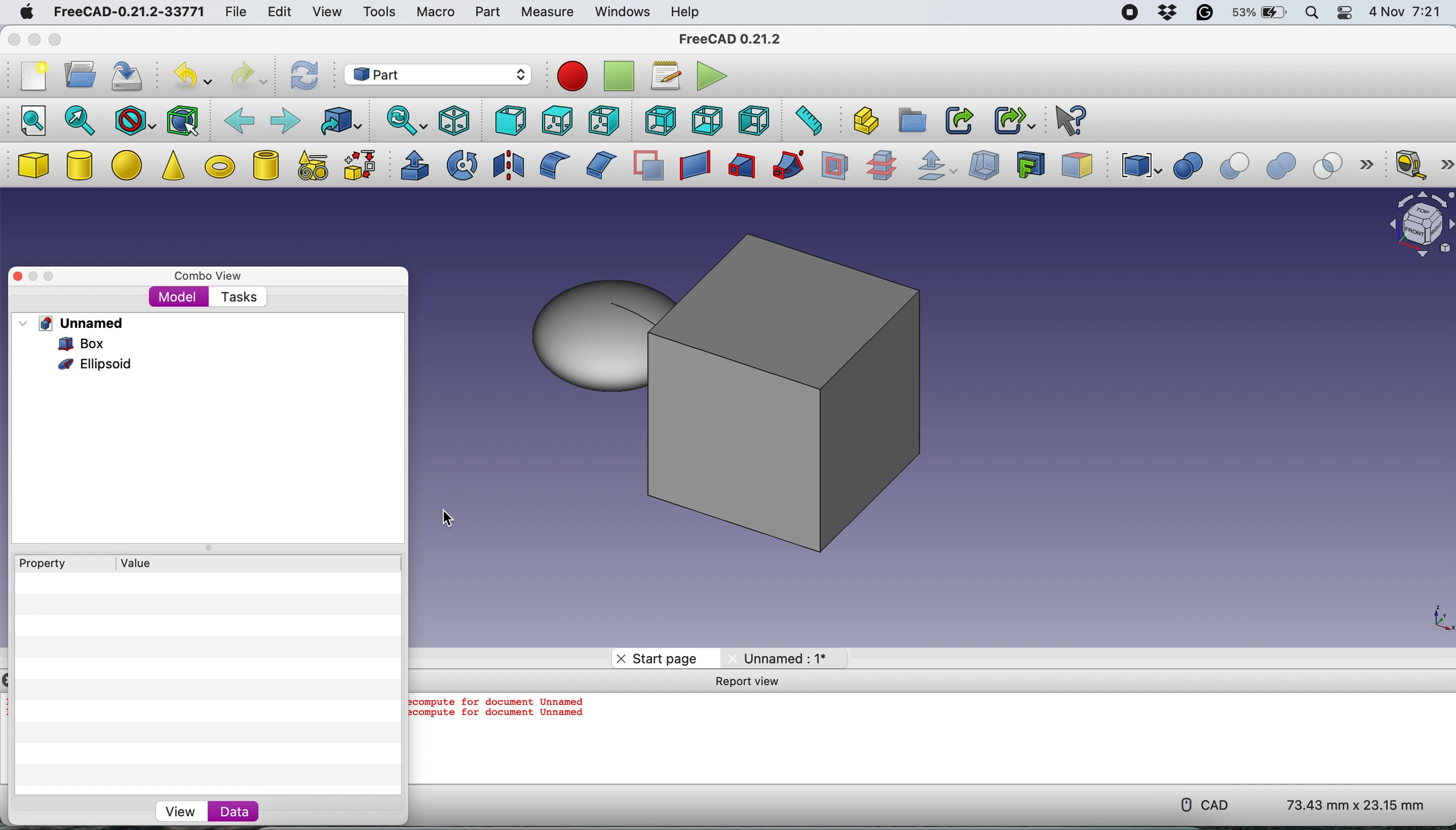 The width and height of the screenshot is (1456, 830). I want to click on data, so click(227, 811).